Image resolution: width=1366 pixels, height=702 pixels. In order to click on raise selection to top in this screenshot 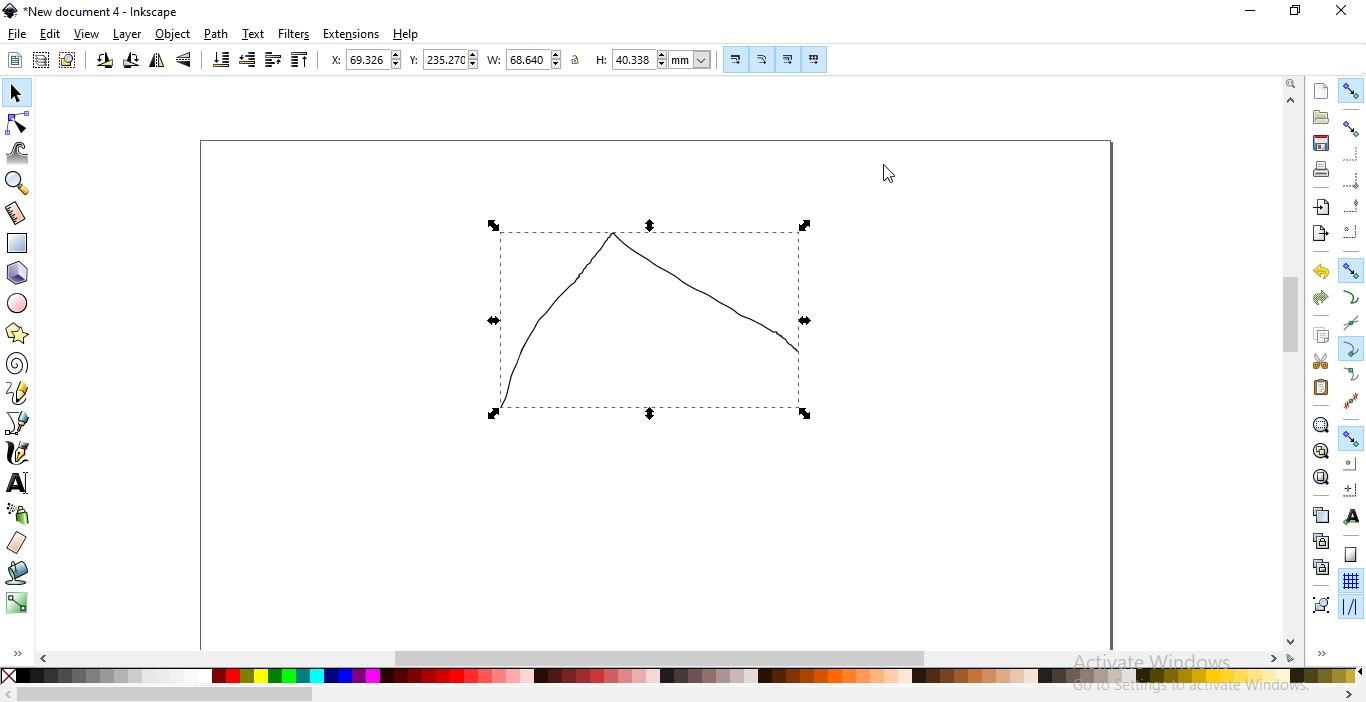, I will do `click(300, 59)`.